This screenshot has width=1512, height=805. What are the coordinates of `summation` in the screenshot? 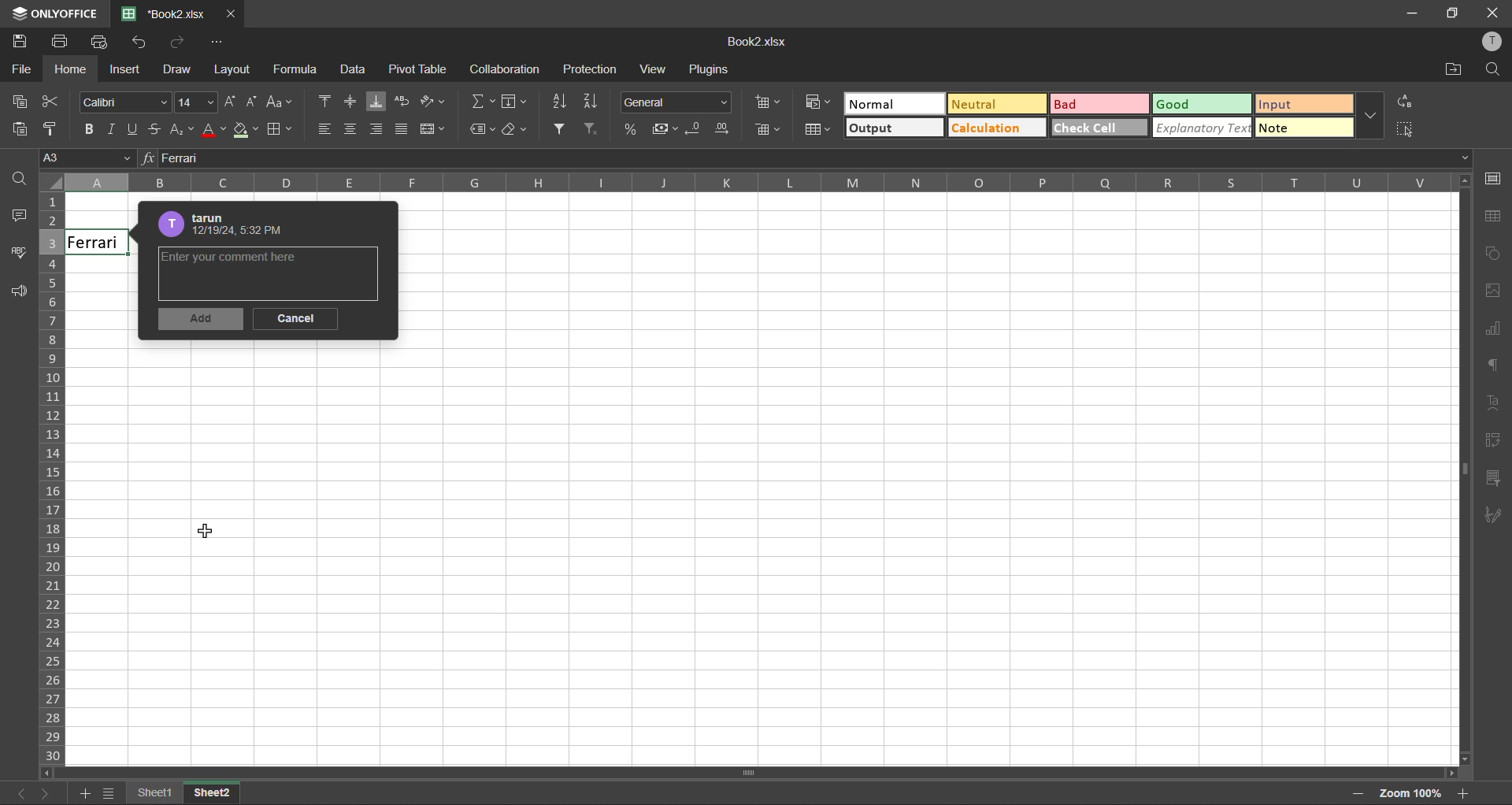 It's located at (481, 100).